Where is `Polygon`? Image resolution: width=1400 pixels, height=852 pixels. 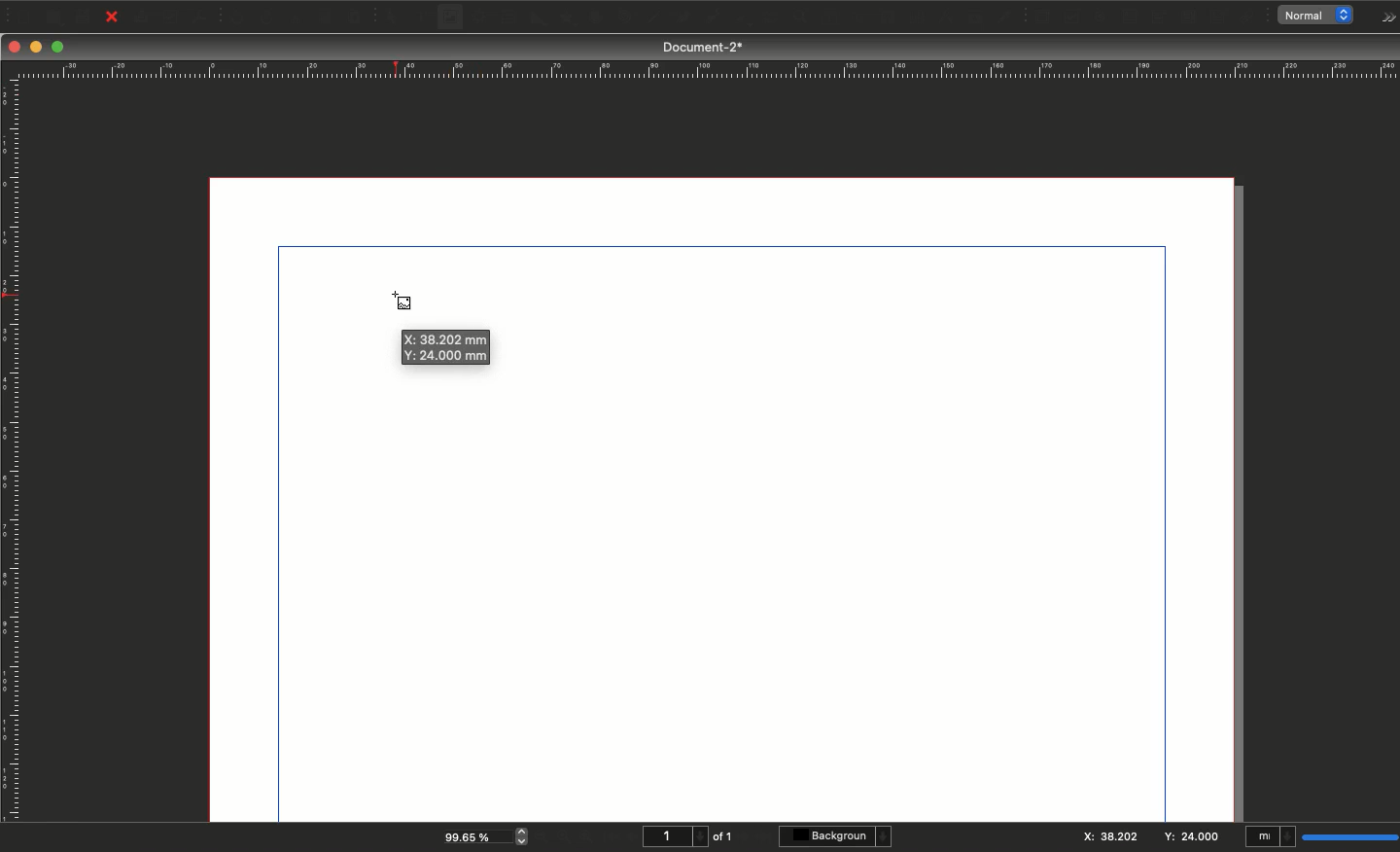 Polygon is located at coordinates (567, 18).